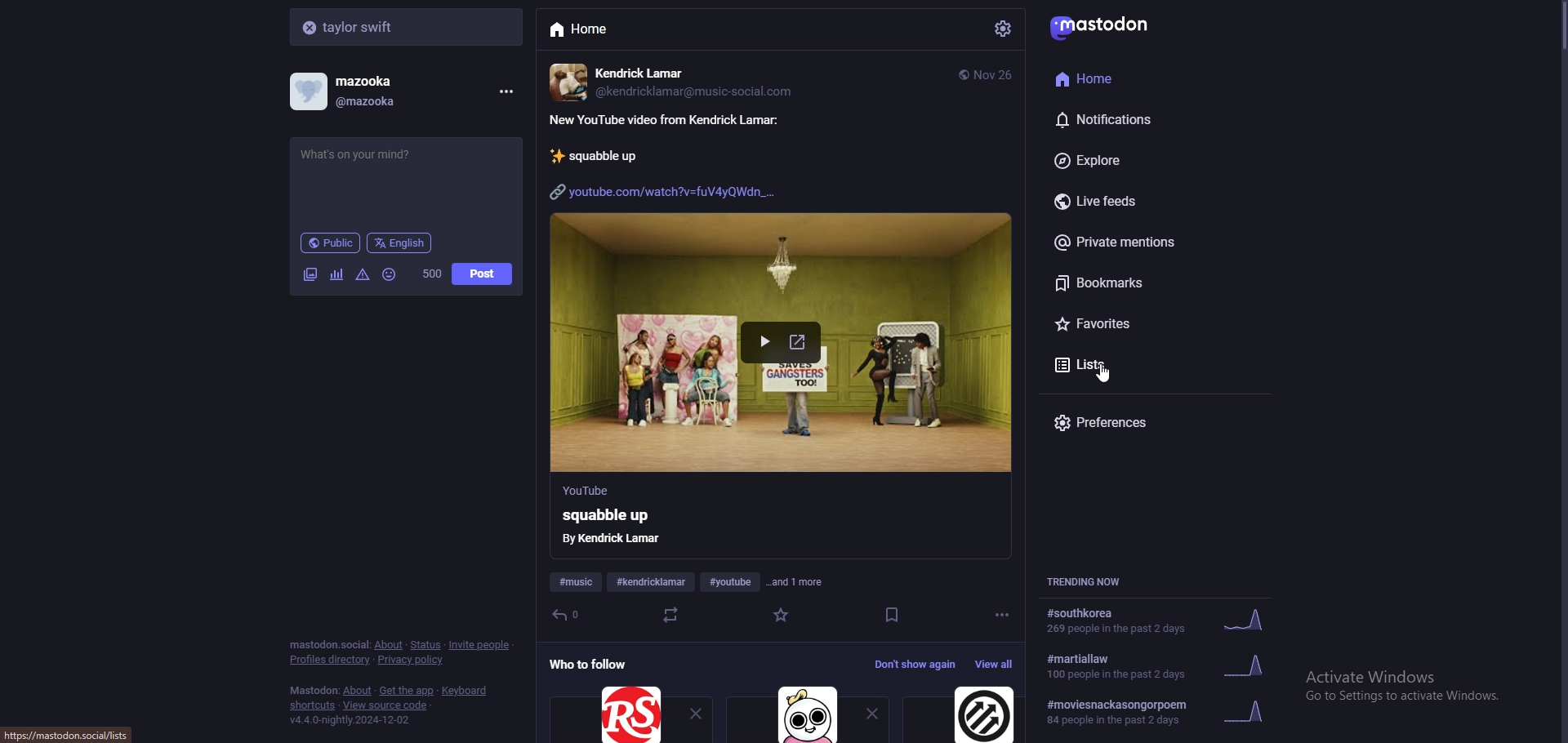  What do you see at coordinates (592, 28) in the screenshot?
I see `home` at bounding box center [592, 28].